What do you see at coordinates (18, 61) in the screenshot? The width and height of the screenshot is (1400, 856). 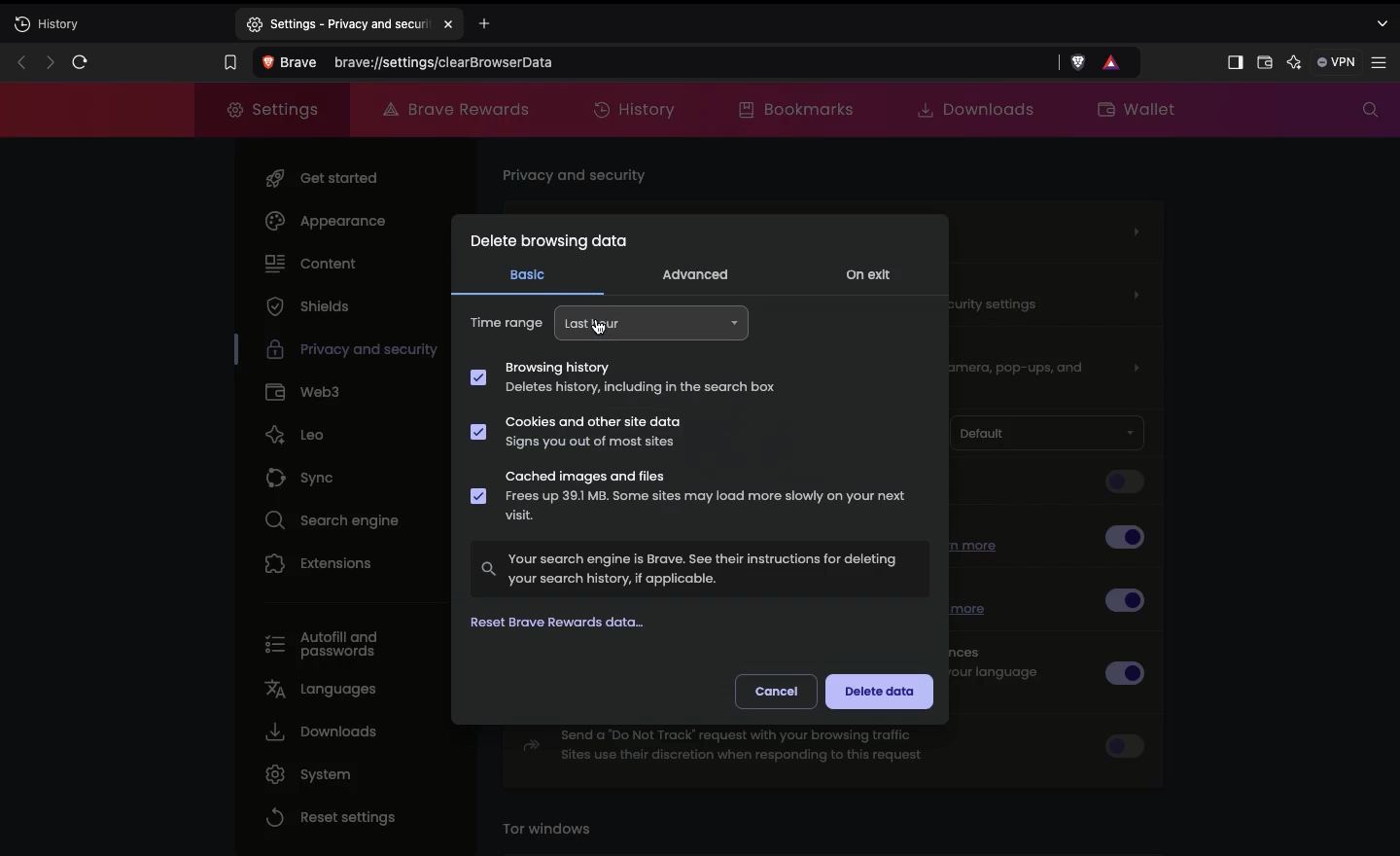 I see `Previous page` at bounding box center [18, 61].